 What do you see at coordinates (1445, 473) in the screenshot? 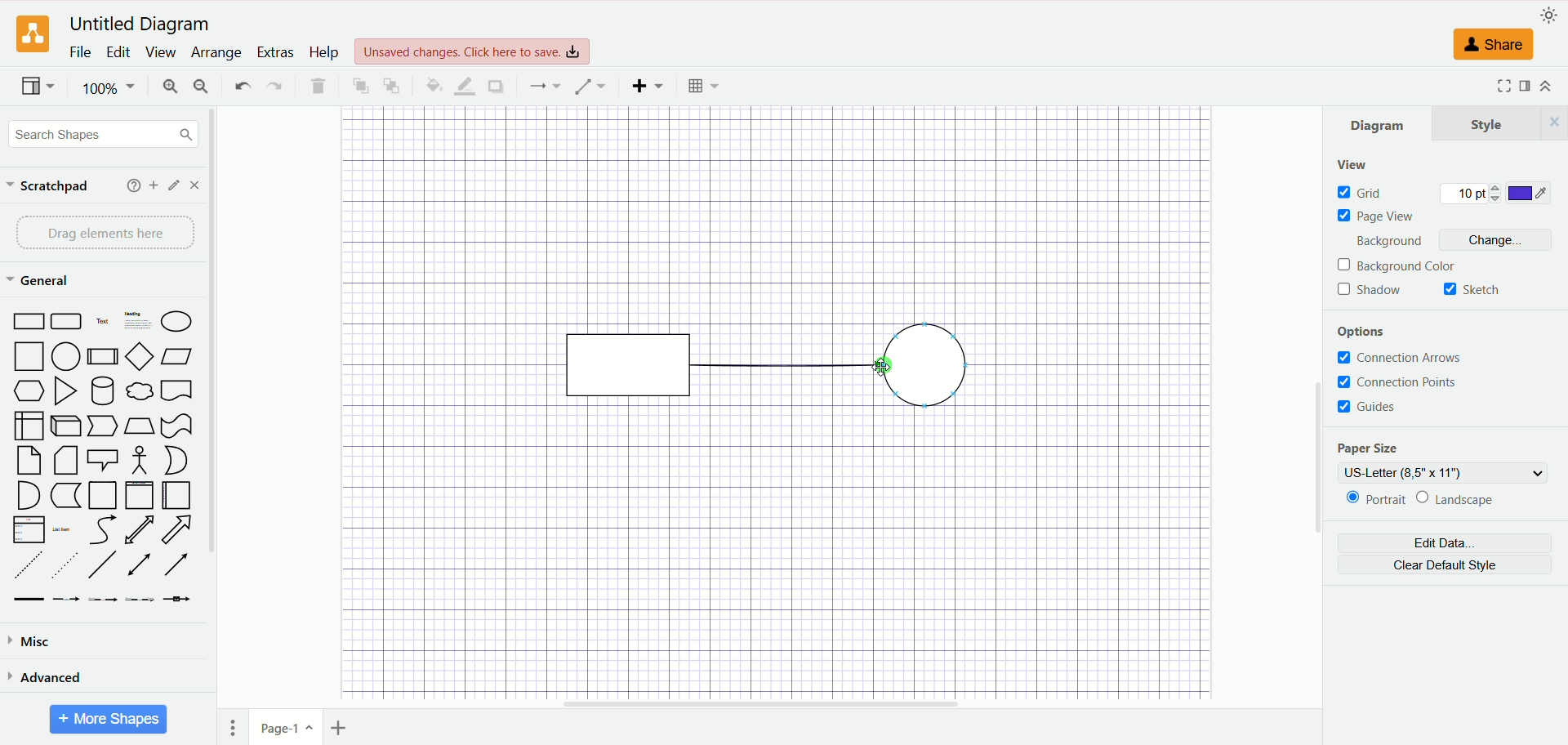
I see `US-letter` at bounding box center [1445, 473].